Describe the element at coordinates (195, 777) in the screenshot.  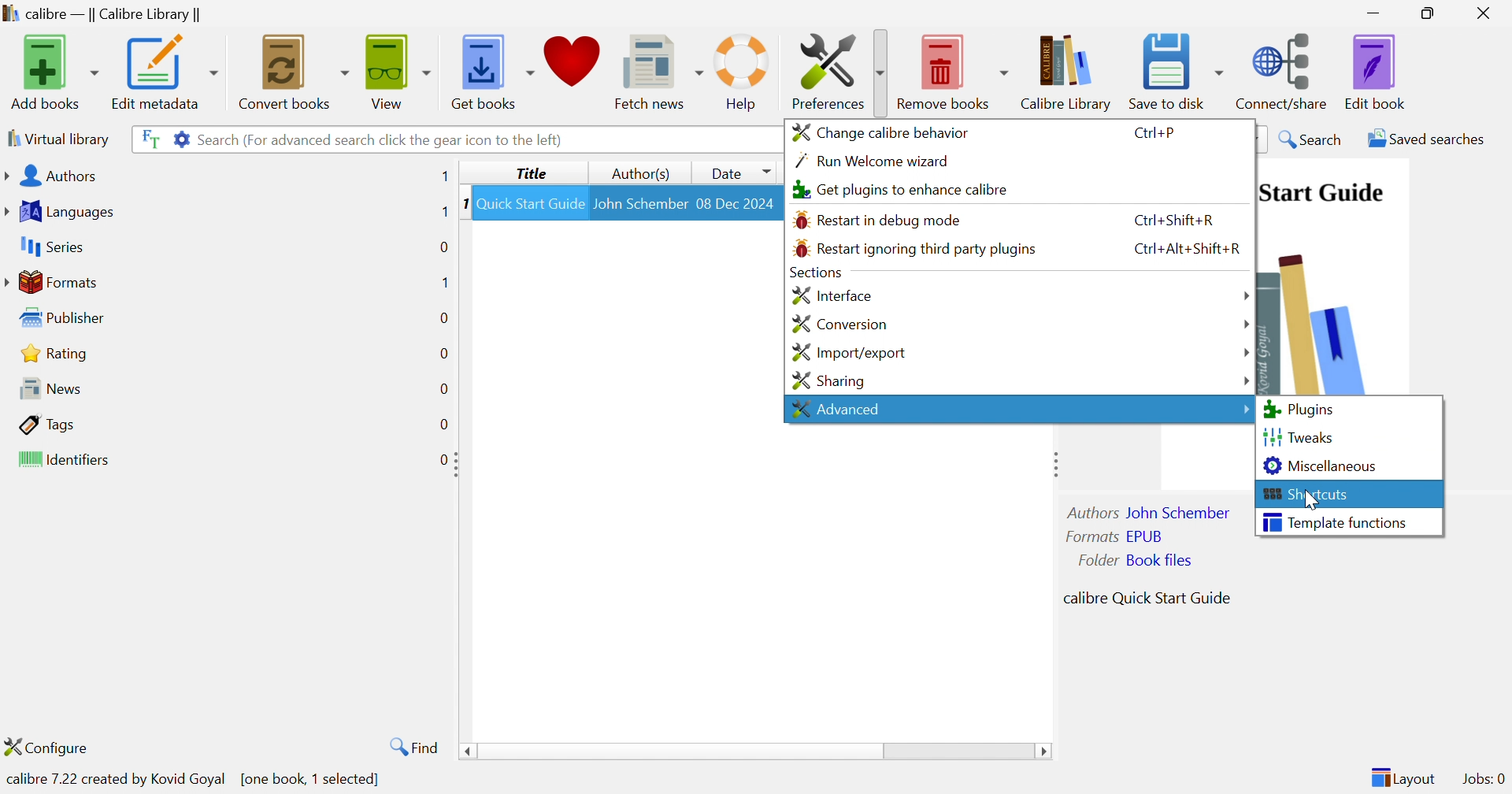
I see `calibre 7.22 created by Kovid Goyal [one book 1 selected]` at that location.